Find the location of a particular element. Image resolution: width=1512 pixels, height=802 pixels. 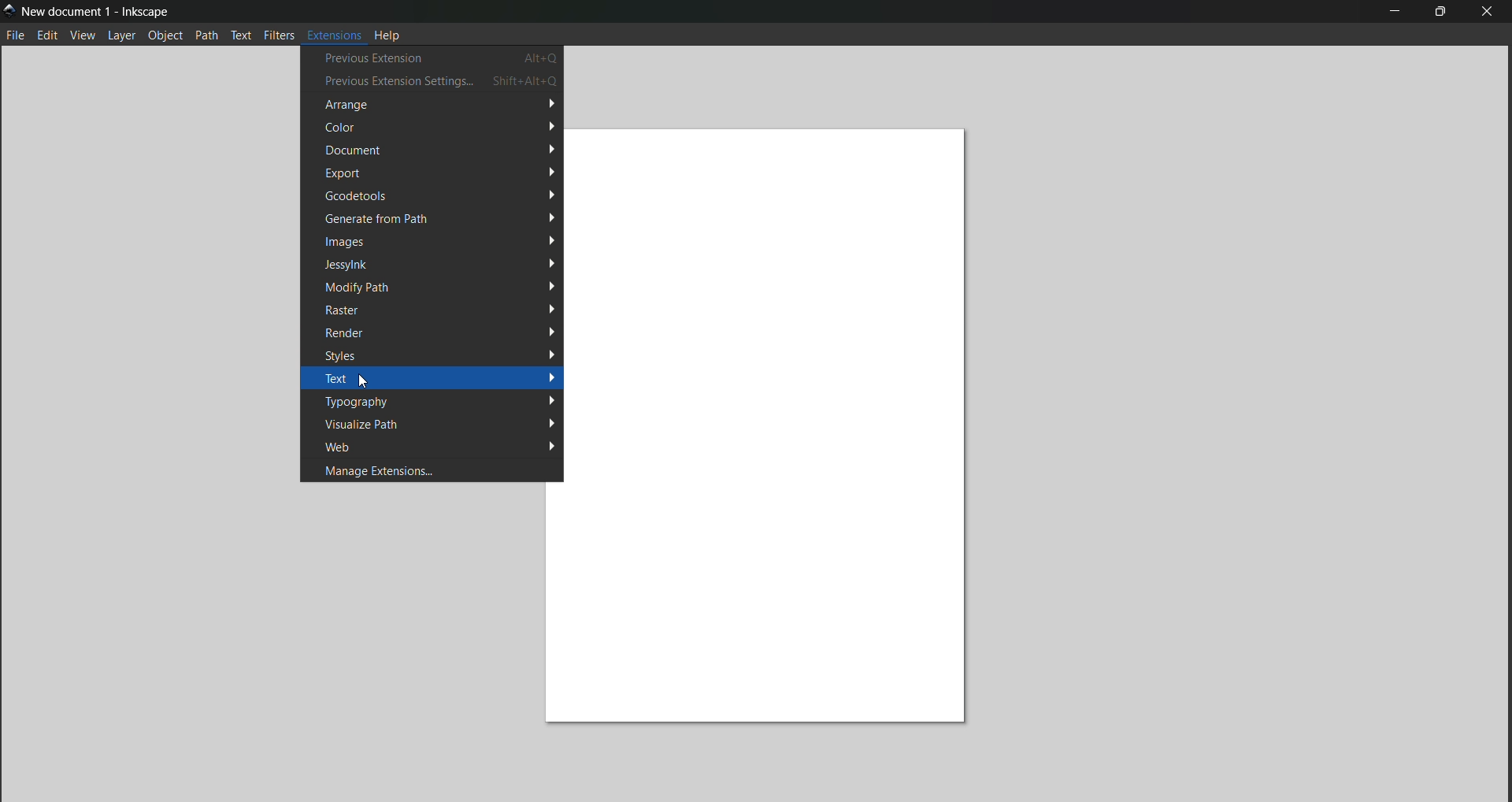

visualize path is located at coordinates (436, 423).